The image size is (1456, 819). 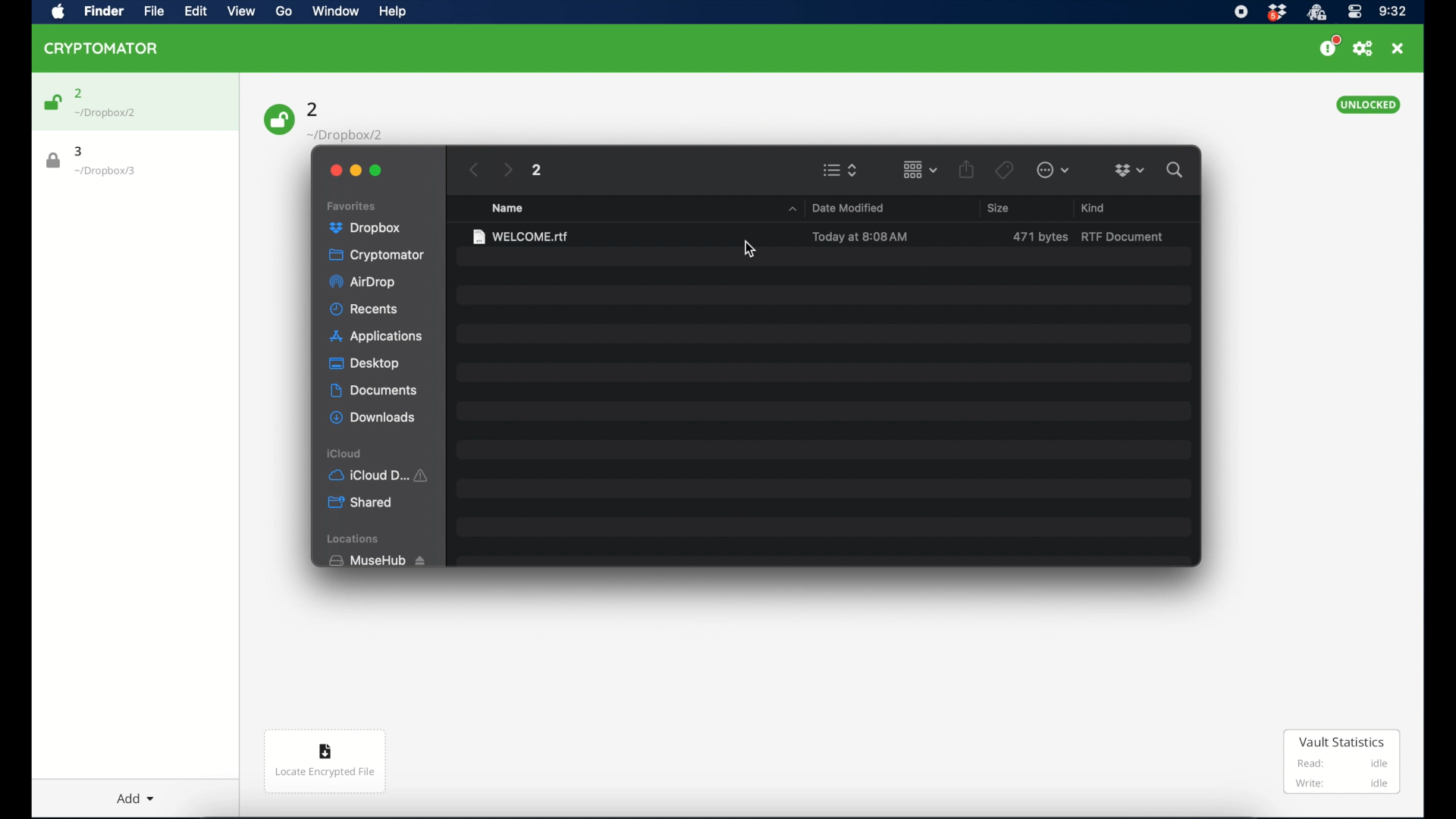 I want to click on dropbox, so click(x=365, y=228).